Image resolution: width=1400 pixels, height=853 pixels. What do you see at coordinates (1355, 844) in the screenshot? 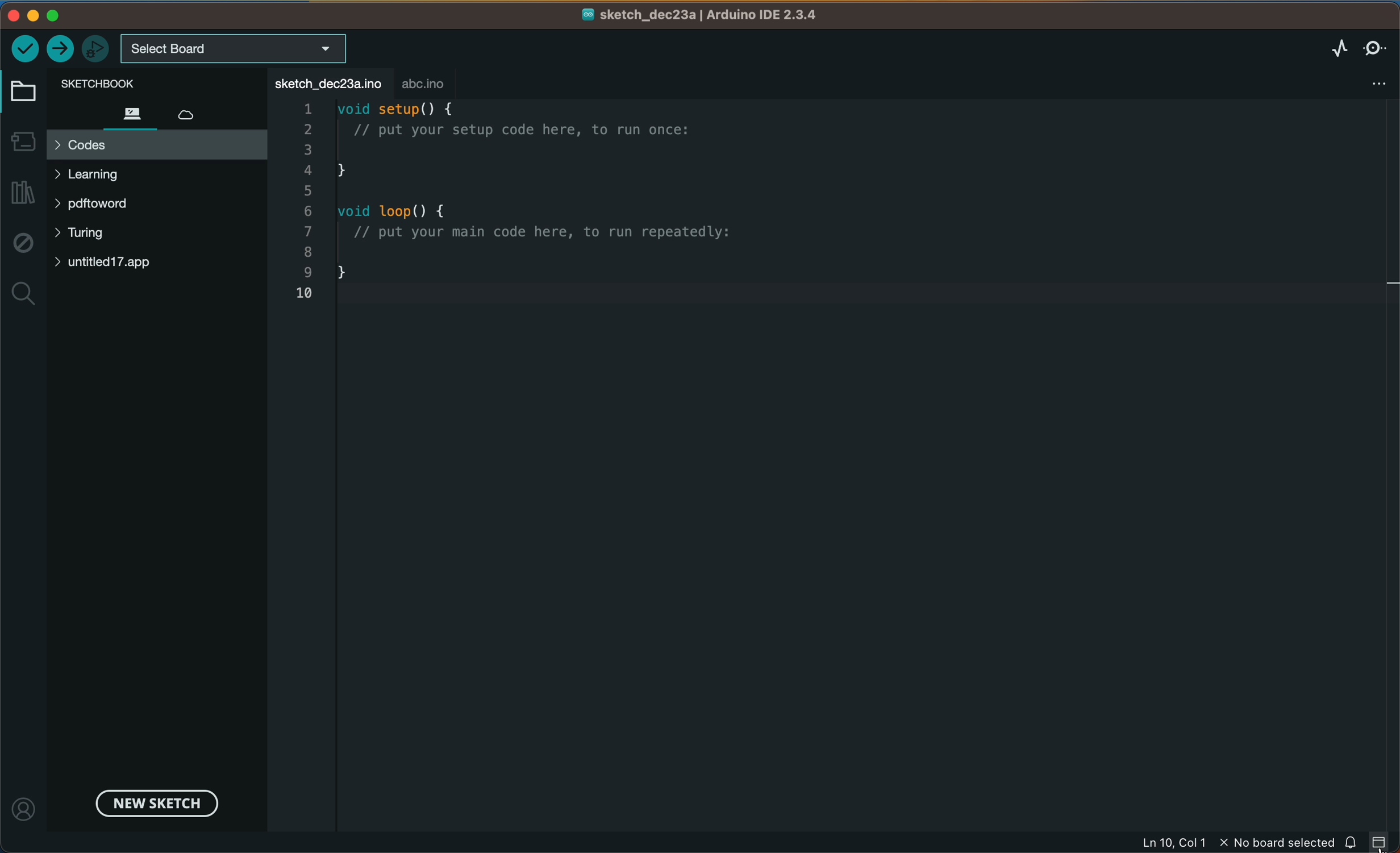
I see `notification` at bounding box center [1355, 844].